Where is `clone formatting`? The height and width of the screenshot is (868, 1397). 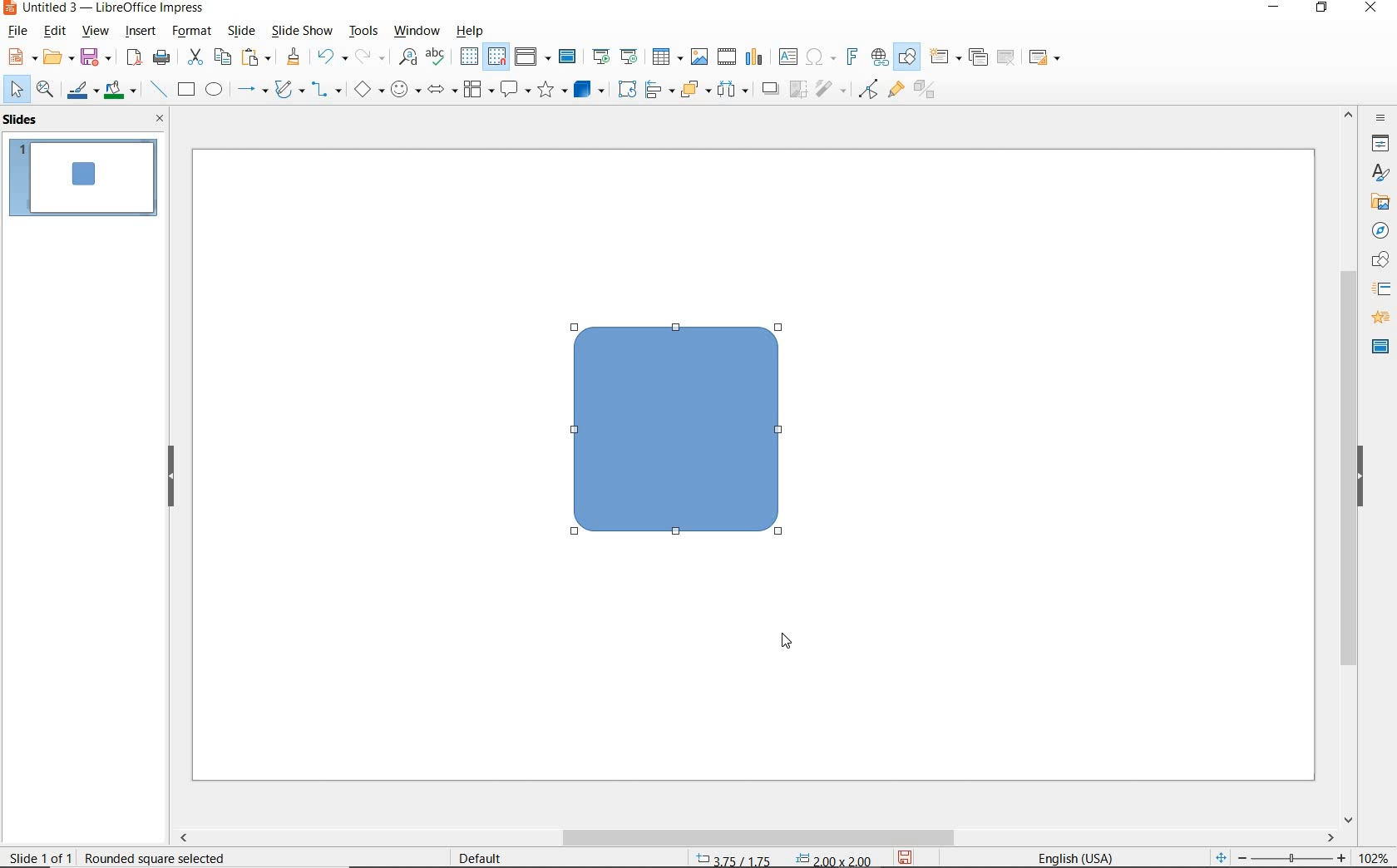
clone formatting is located at coordinates (293, 57).